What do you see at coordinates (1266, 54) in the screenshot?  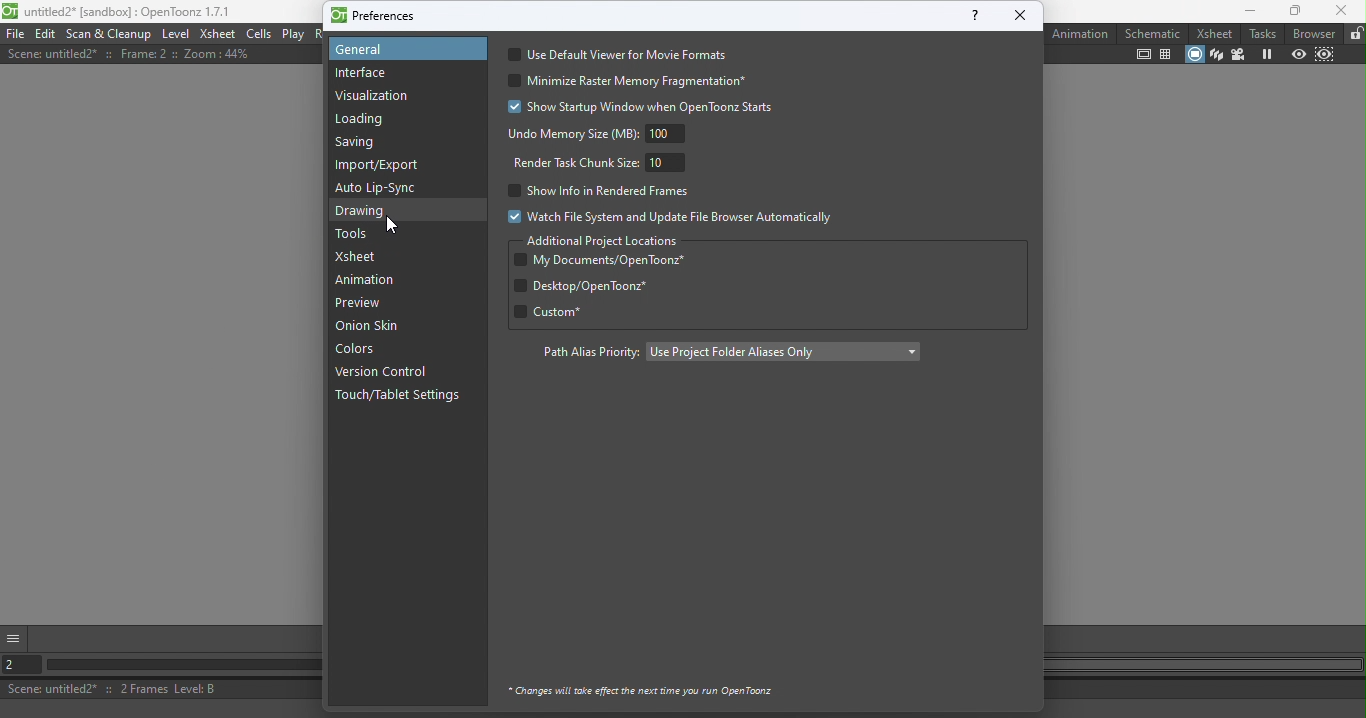 I see `Freeze` at bounding box center [1266, 54].